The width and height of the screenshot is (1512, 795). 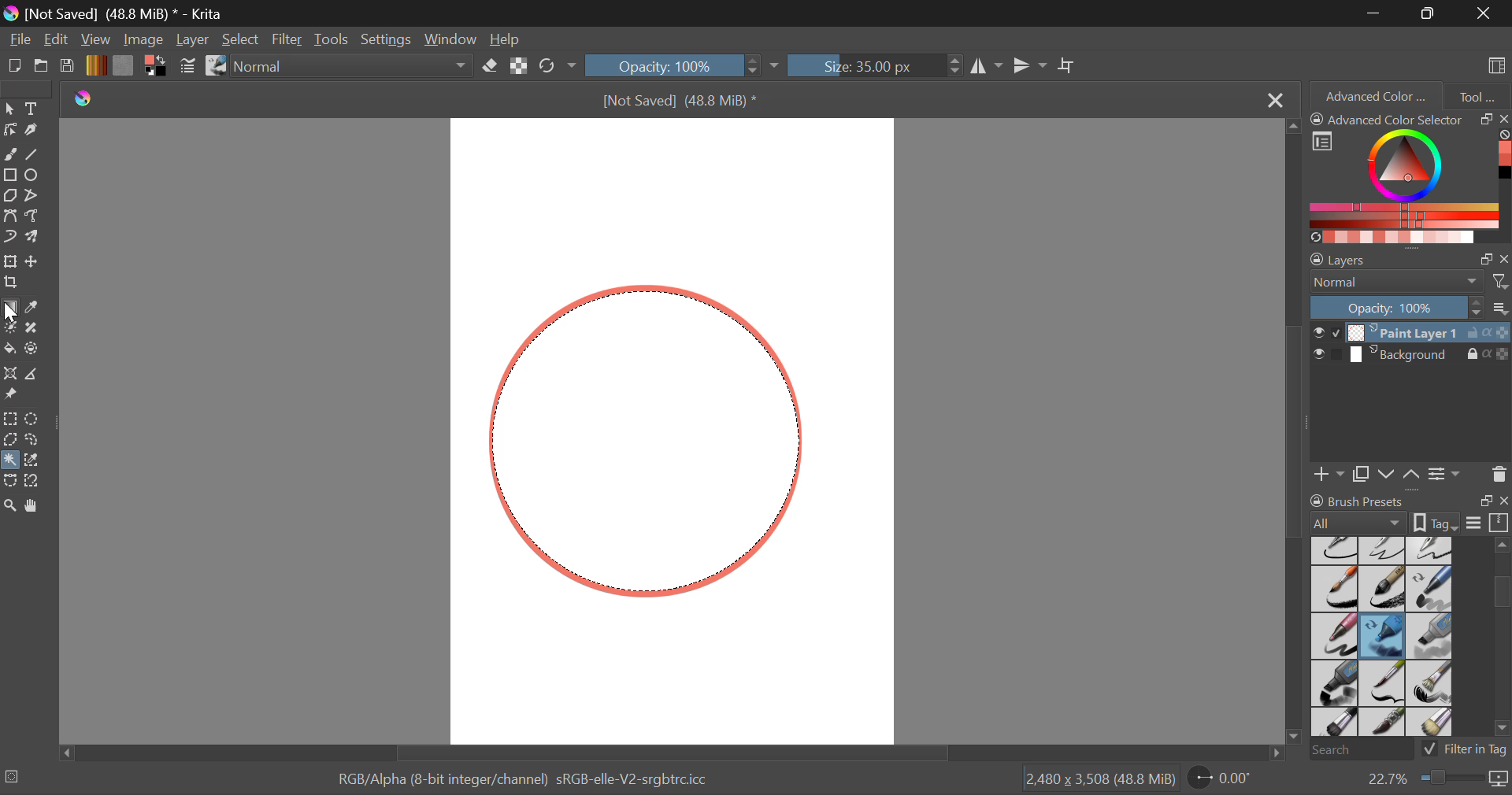 What do you see at coordinates (1296, 434) in the screenshot?
I see `Scroll Bar` at bounding box center [1296, 434].